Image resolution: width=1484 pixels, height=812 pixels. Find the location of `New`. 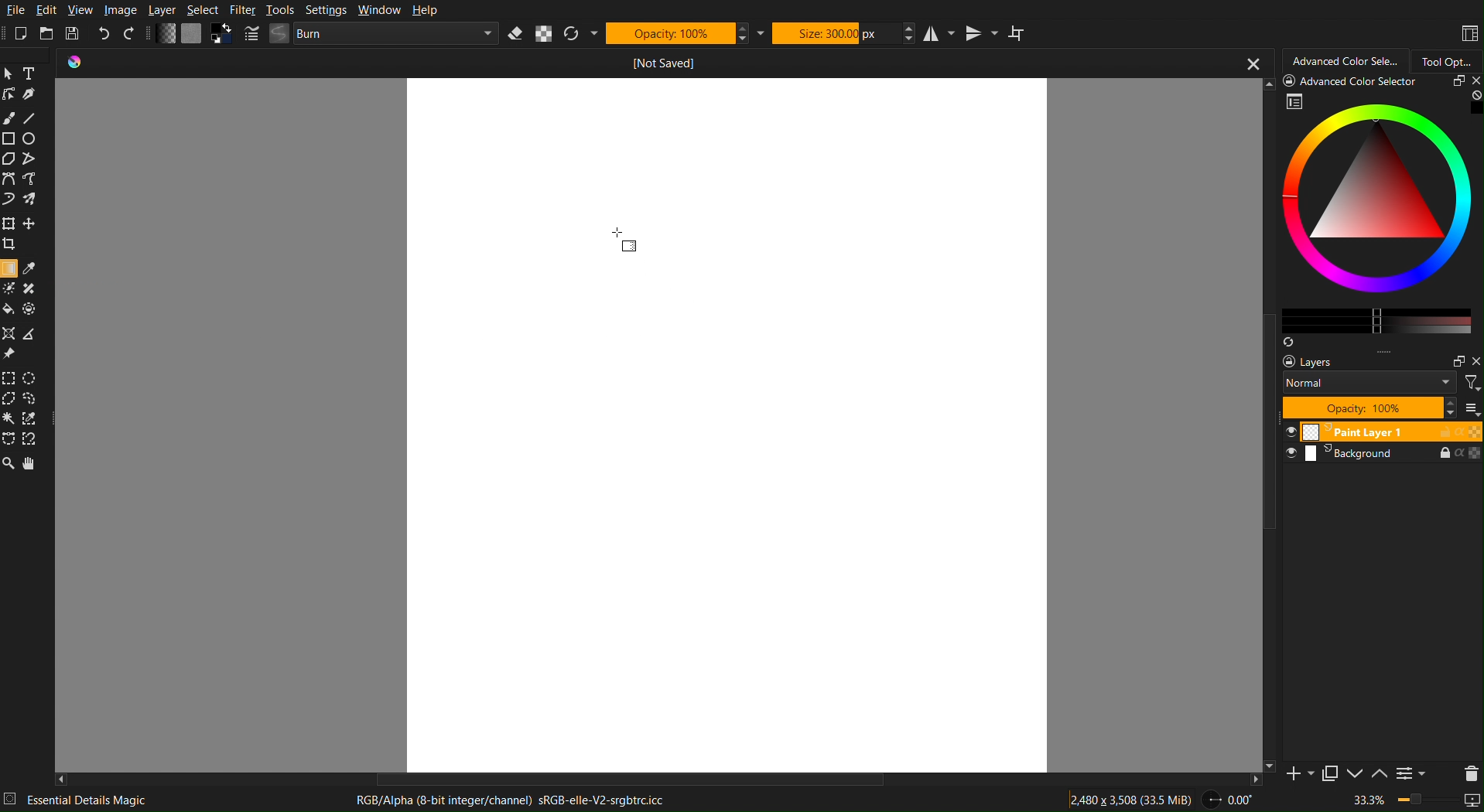

New is located at coordinates (22, 34).